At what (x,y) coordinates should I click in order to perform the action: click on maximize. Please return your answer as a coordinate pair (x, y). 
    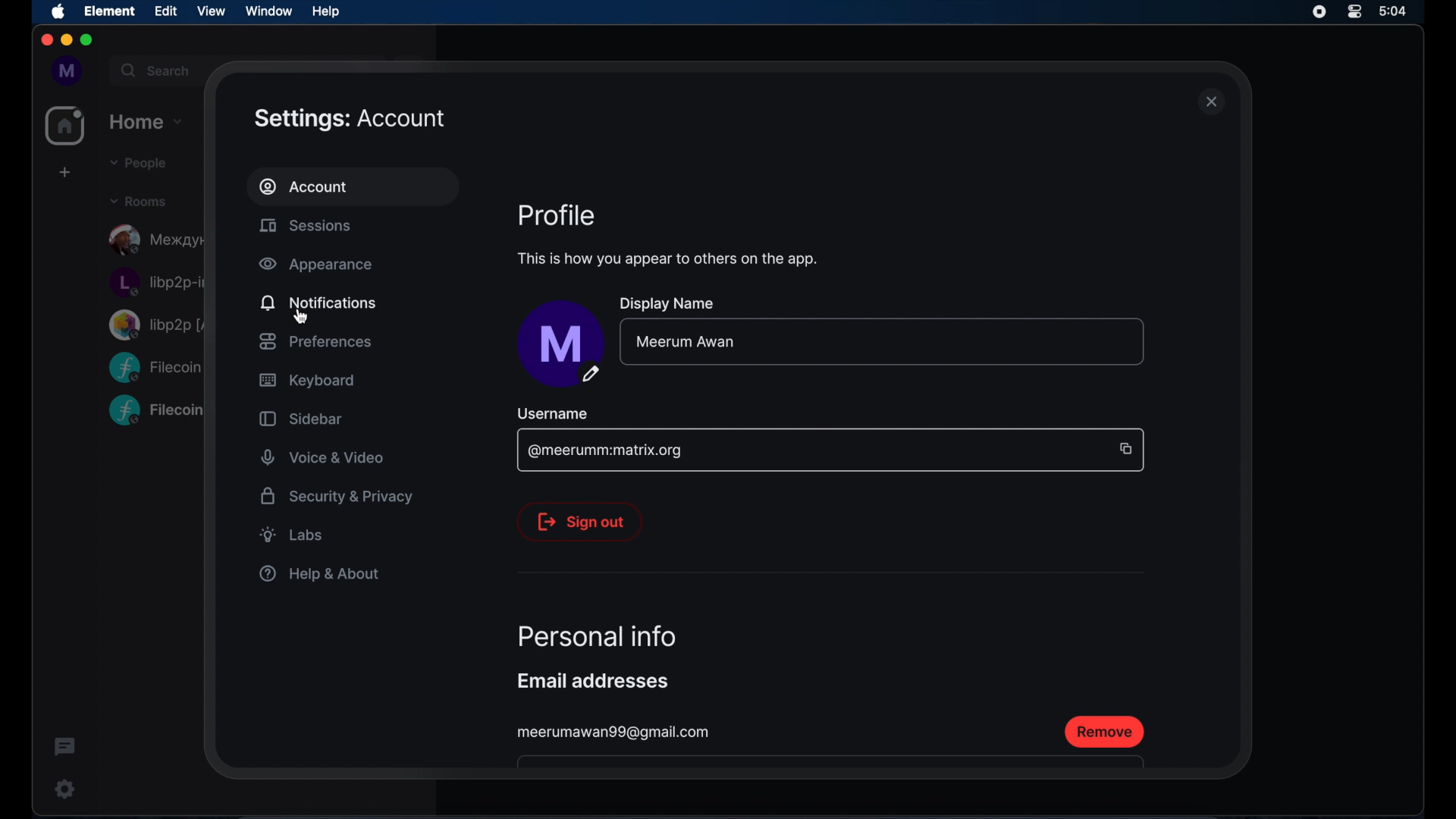
    Looking at the image, I should click on (88, 41).